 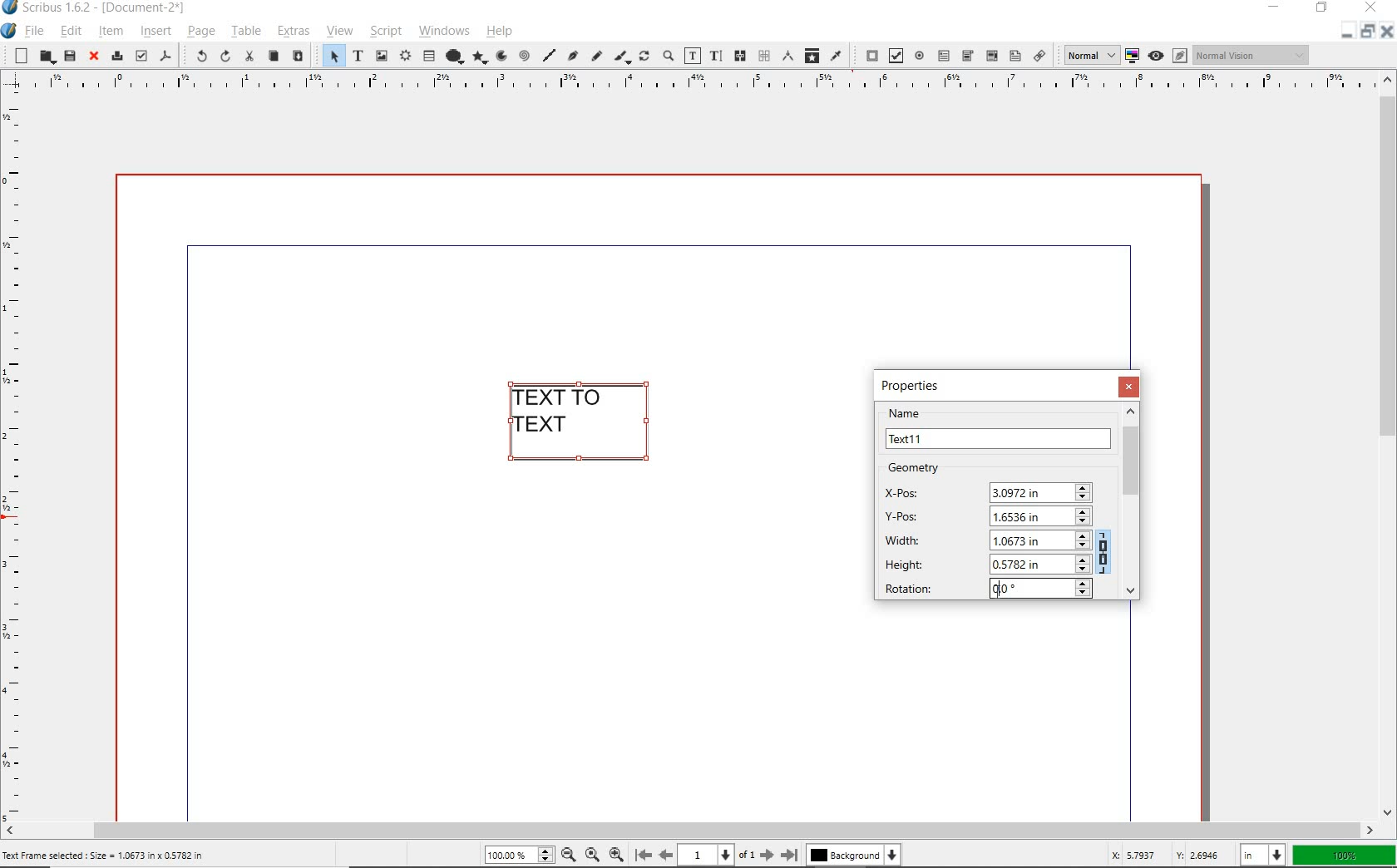 I want to click on scrollbar, so click(x=689, y=831).